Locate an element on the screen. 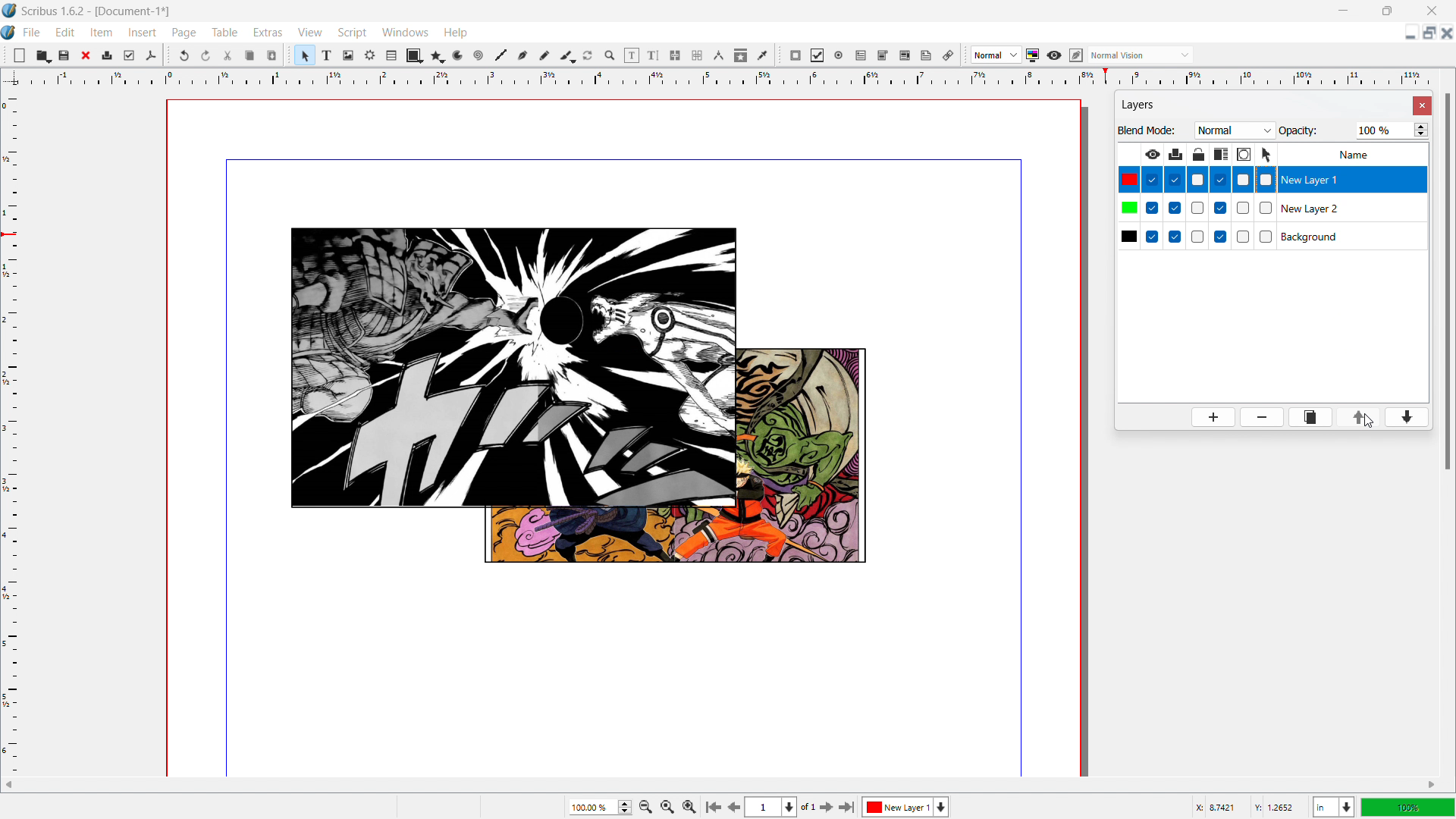 This screenshot has width=1456, height=819. zoom to 1005 is located at coordinates (667, 806).